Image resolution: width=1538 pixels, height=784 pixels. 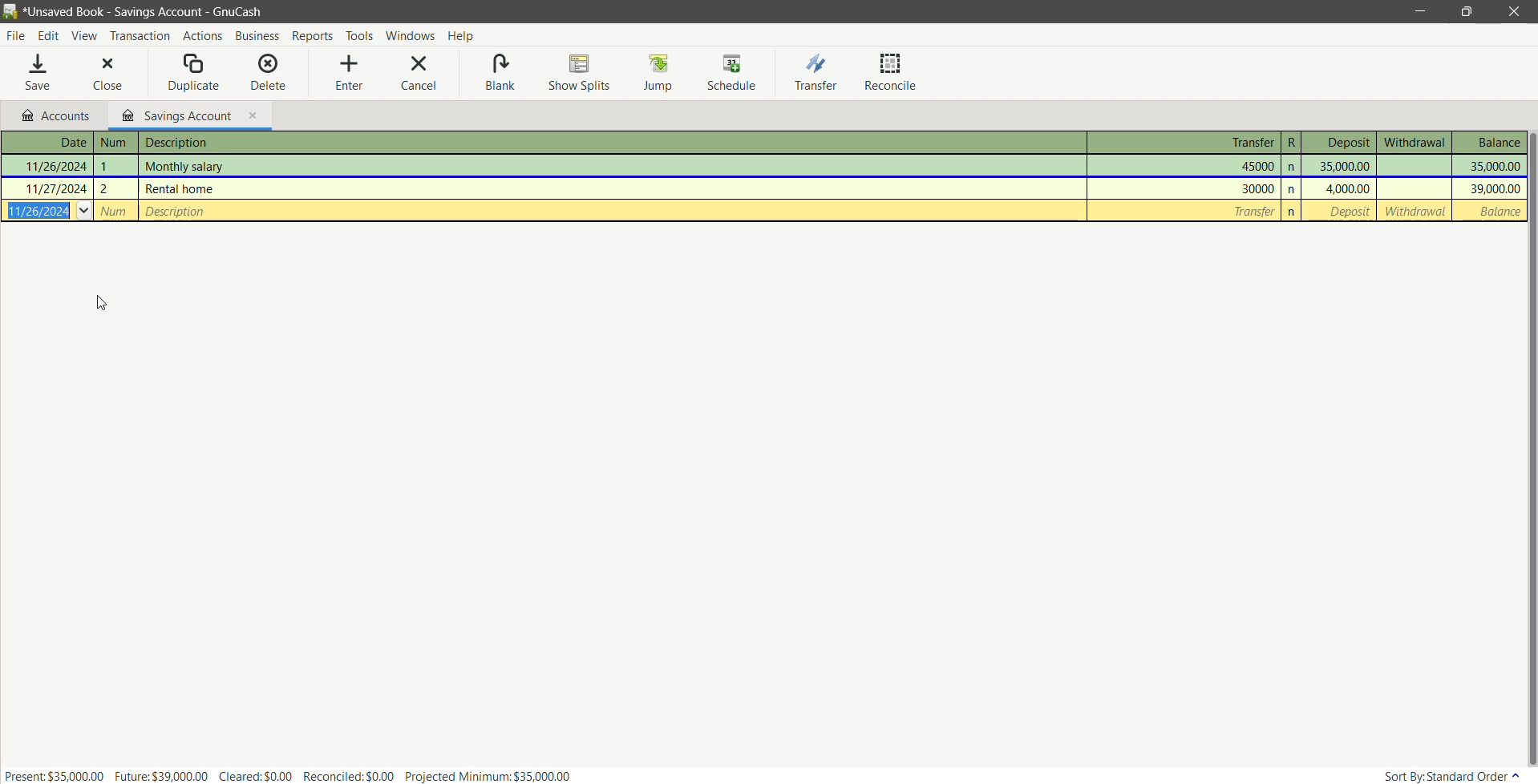 What do you see at coordinates (409, 34) in the screenshot?
I see `Windows` at bounding box center [409, 34].